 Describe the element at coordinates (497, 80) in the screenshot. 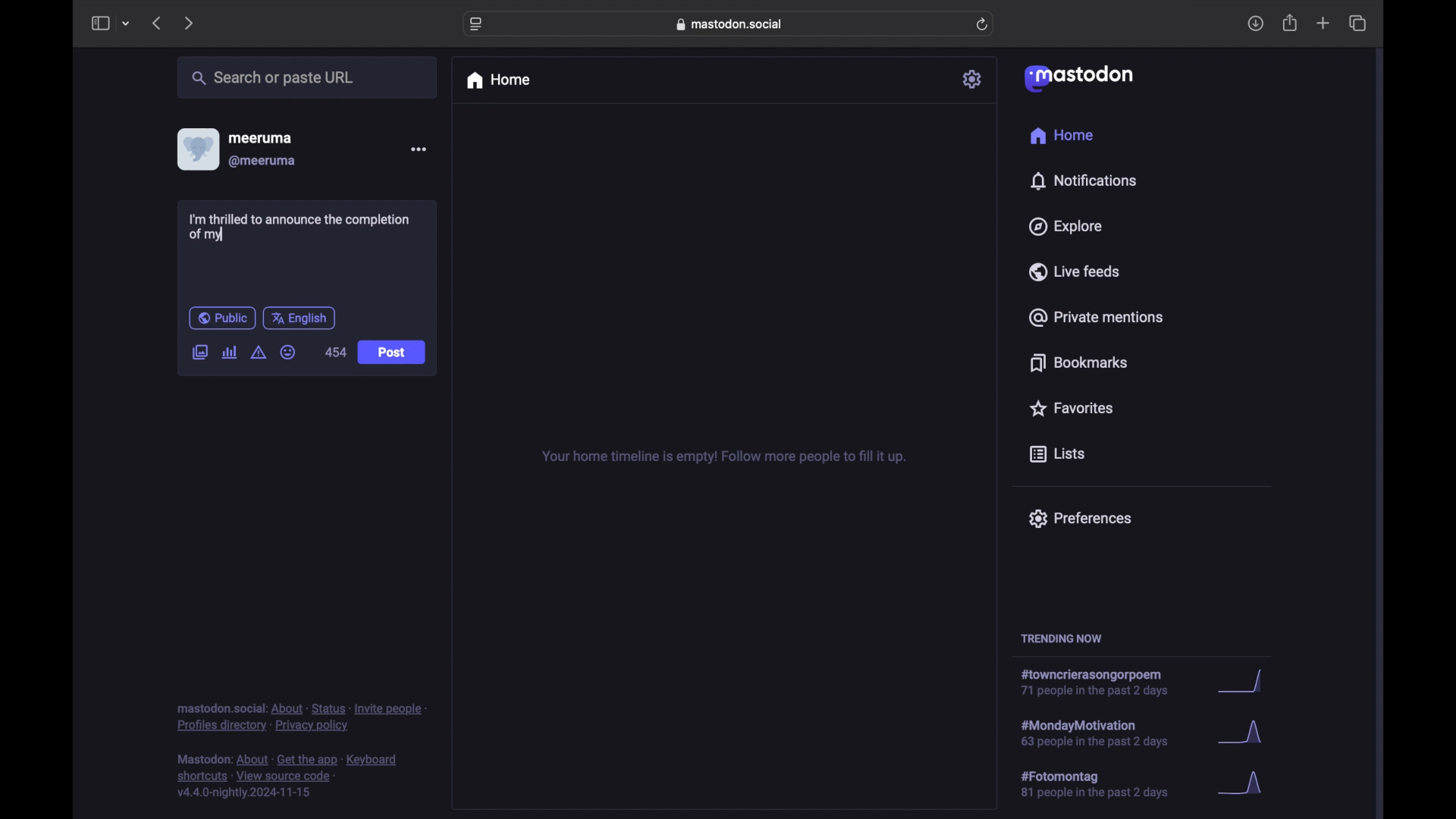

I see `home` at that location.